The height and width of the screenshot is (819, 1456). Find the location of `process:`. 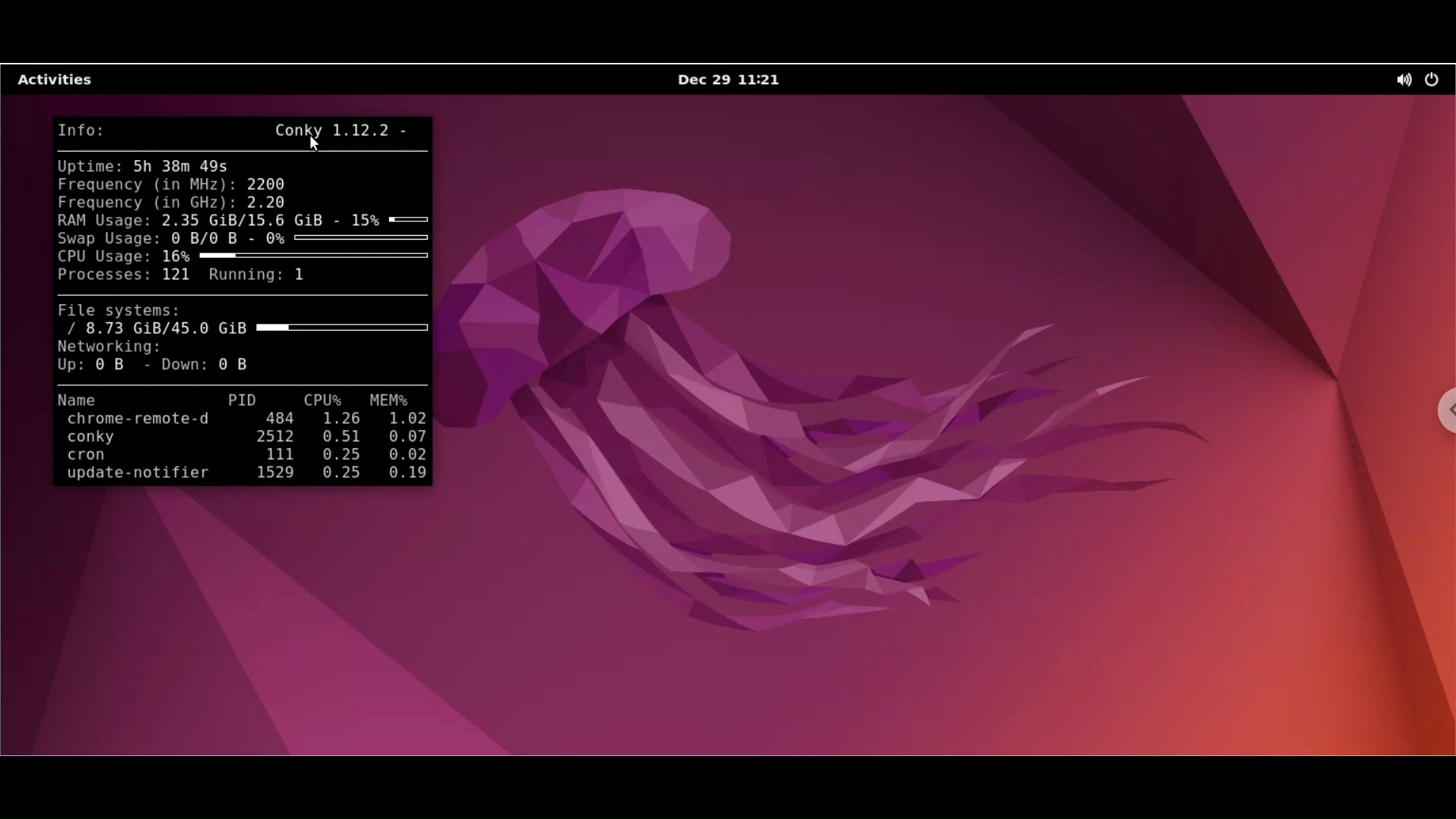

process: is located at coordinates (103, 276).